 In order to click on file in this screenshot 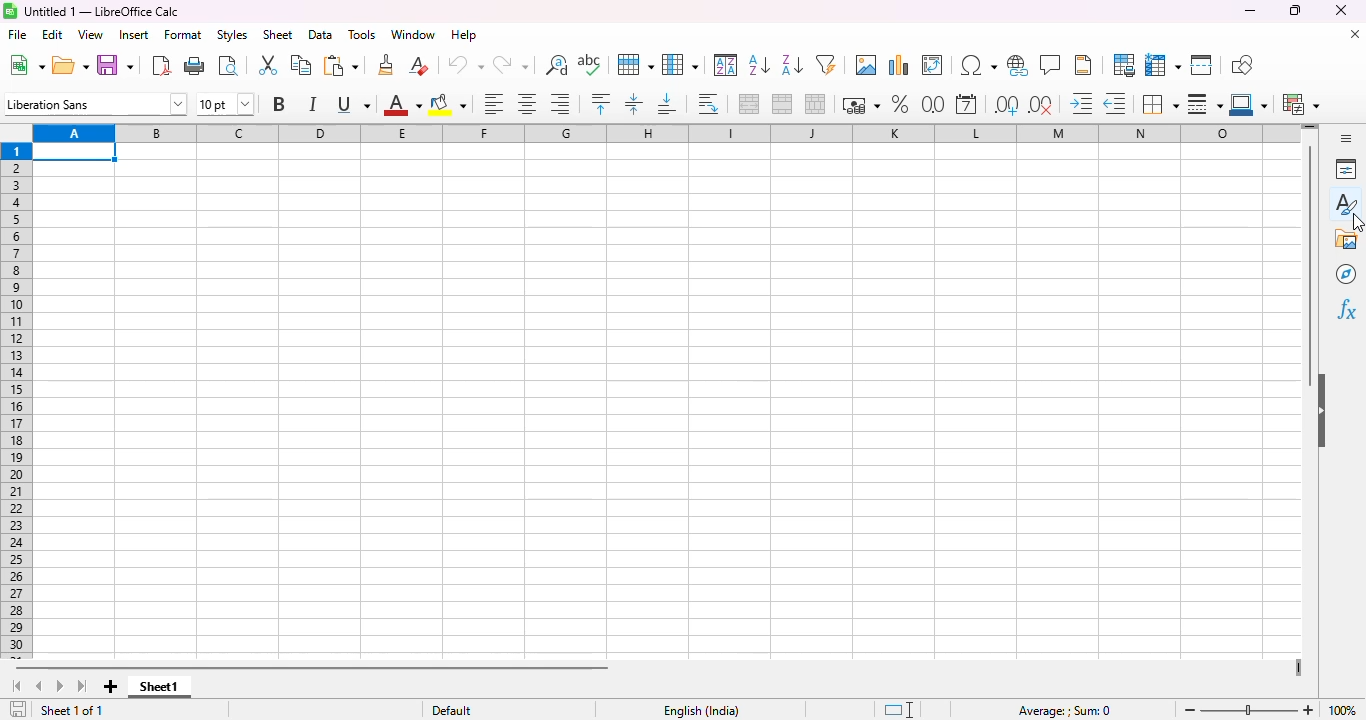, I will do `click(17, 34)`.